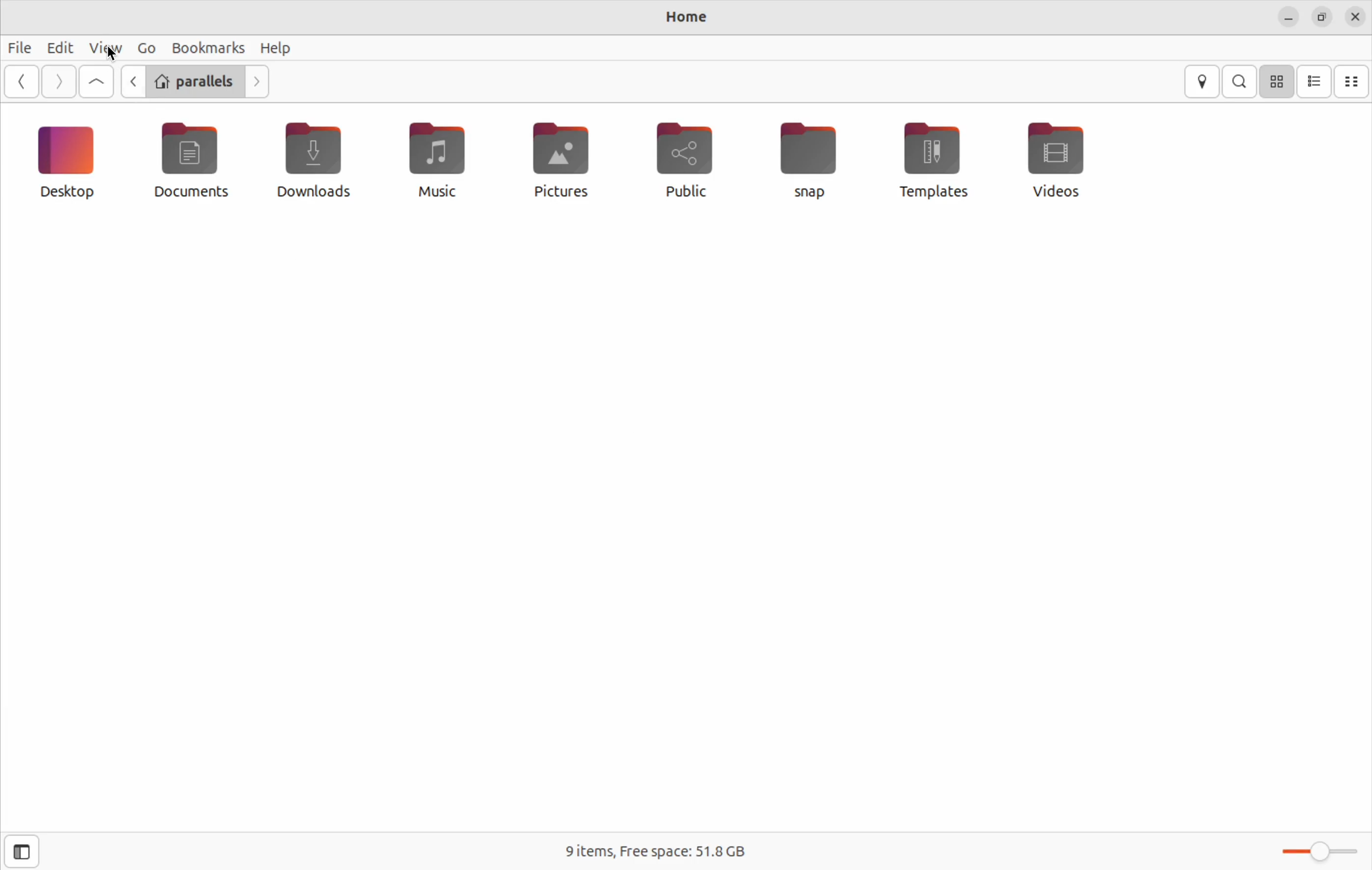  I want to click on music file, so click(432, 159).